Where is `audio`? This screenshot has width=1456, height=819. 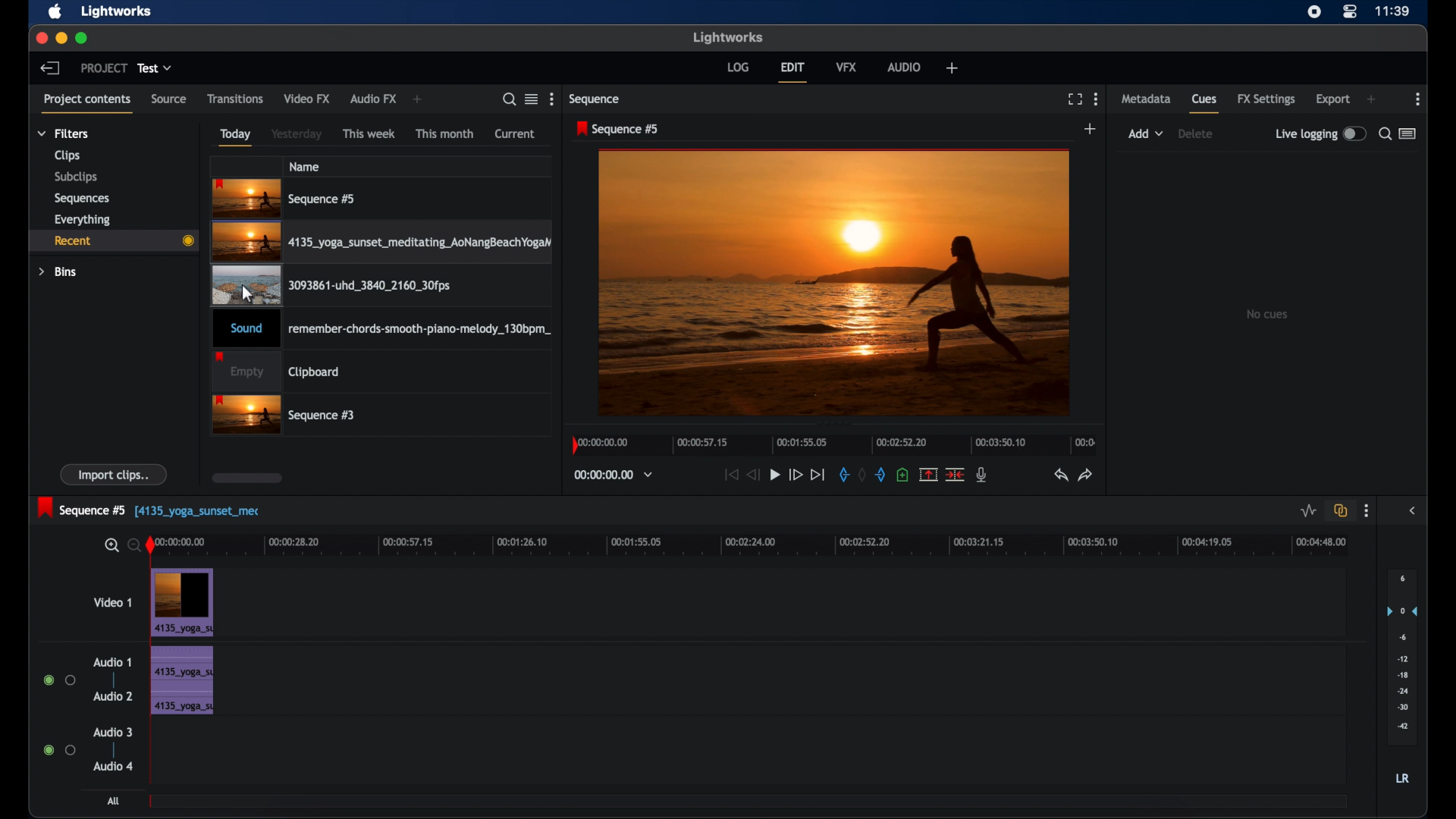 audio is located at coordinates (904, 67).